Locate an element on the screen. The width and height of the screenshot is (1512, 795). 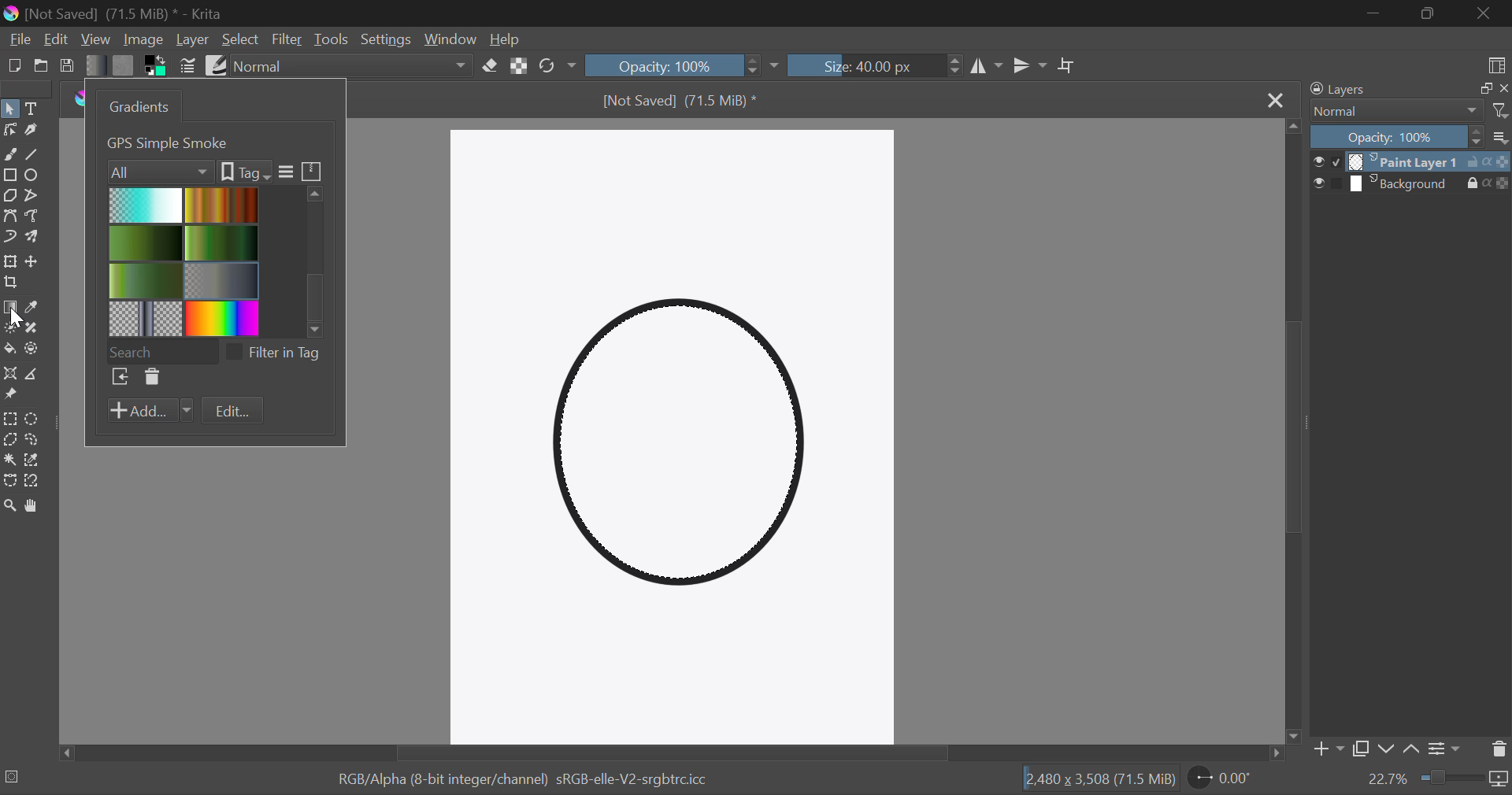
Circular Selection is located at coordinates (35, 417).